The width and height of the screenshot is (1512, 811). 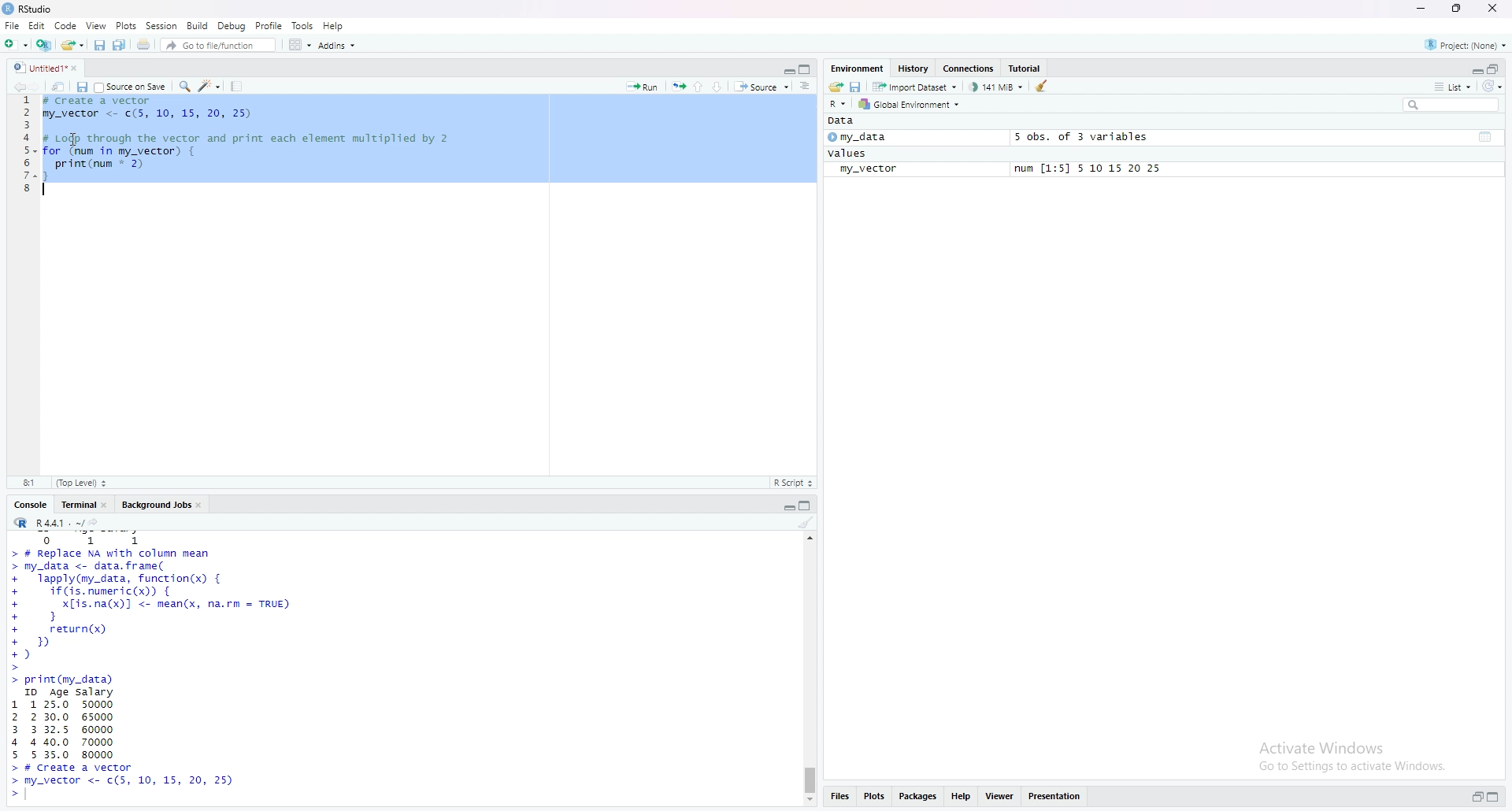 What do you see at coordinates (31, 795) in the screenshot?
I see `text curser` at bounding box center [31, 795].